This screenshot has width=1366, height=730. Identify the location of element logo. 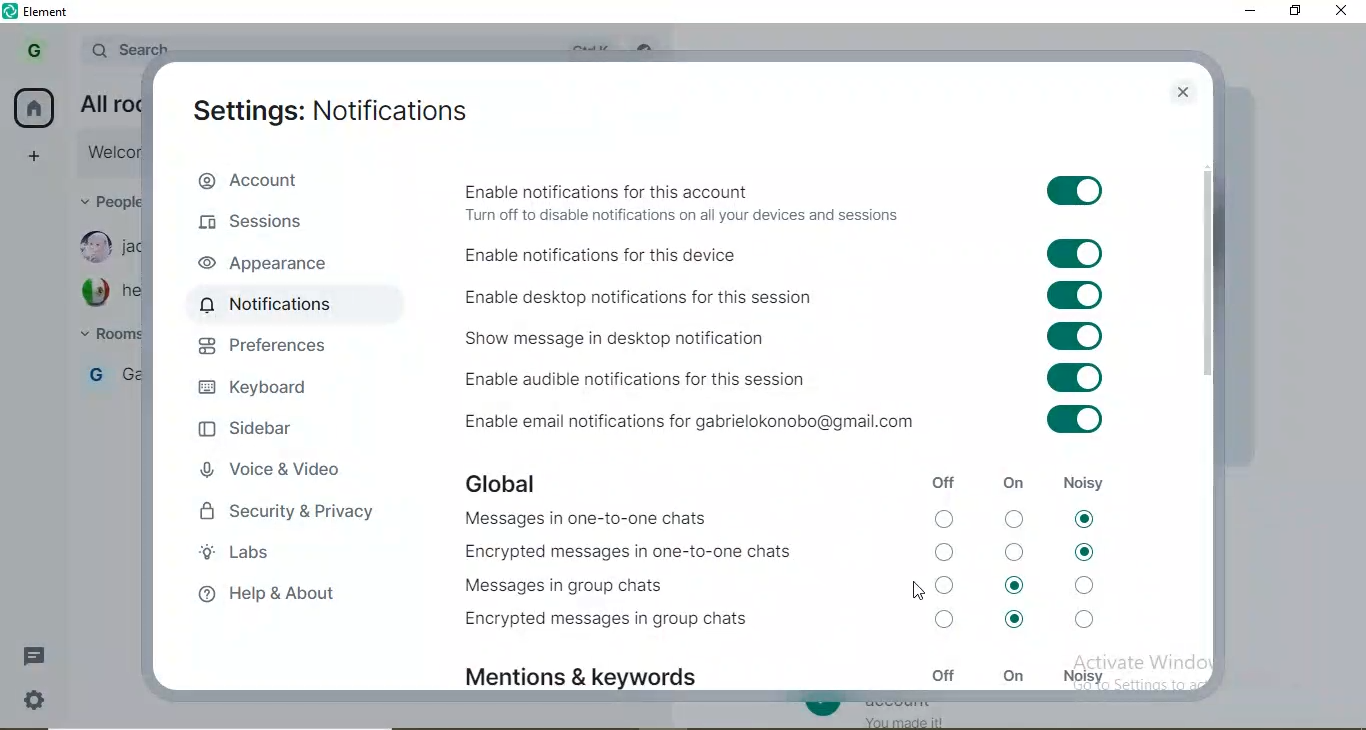
(11, 12).